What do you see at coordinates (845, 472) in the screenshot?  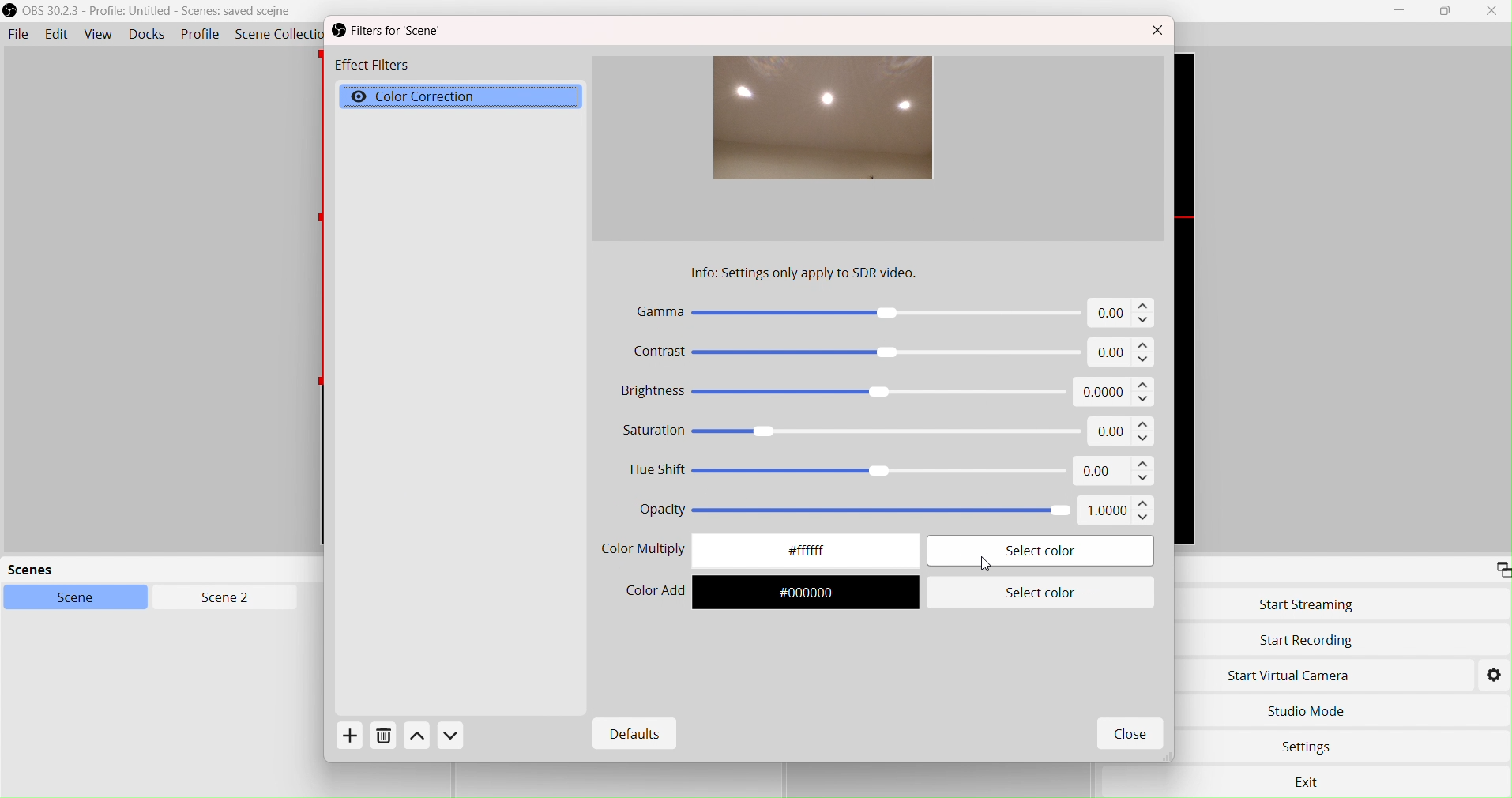 I see `Hue Shift` at bounding box center [845, 472].